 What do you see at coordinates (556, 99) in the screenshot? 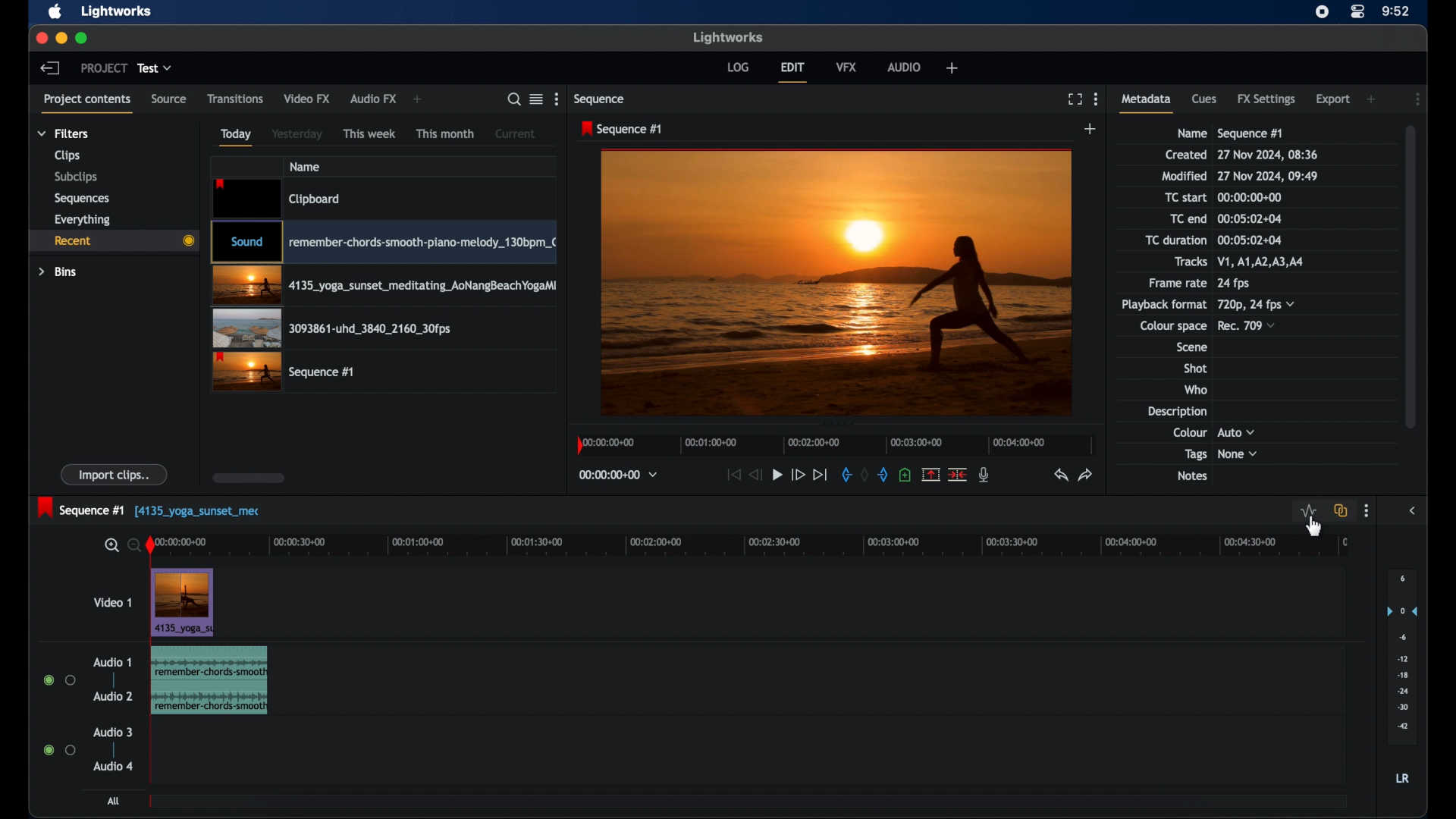
I see `more options` at bounding box center [556, 99].